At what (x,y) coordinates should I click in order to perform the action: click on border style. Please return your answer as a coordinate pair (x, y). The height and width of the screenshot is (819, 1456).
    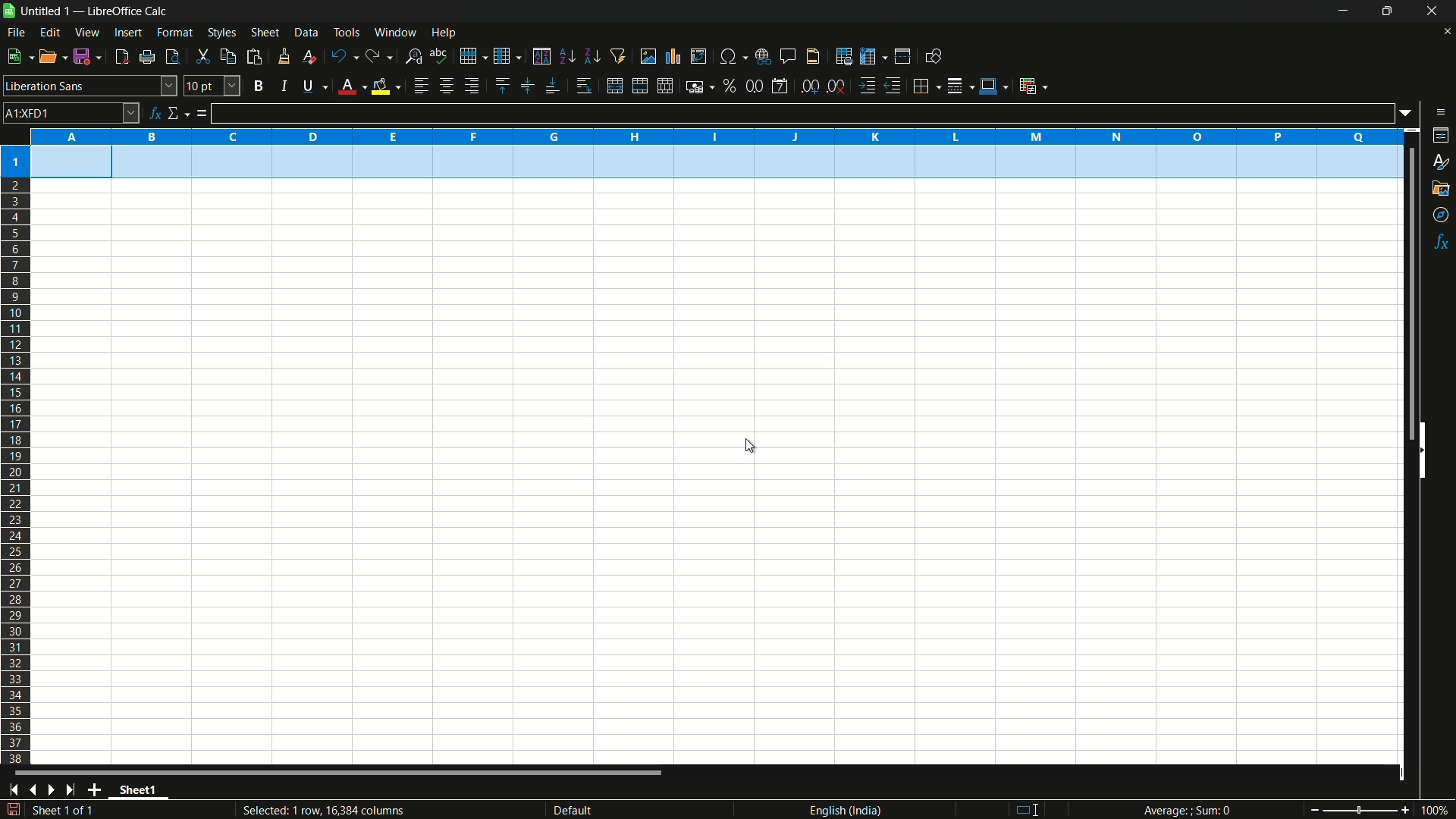
    Looking at the image, I should click on (962, 84).